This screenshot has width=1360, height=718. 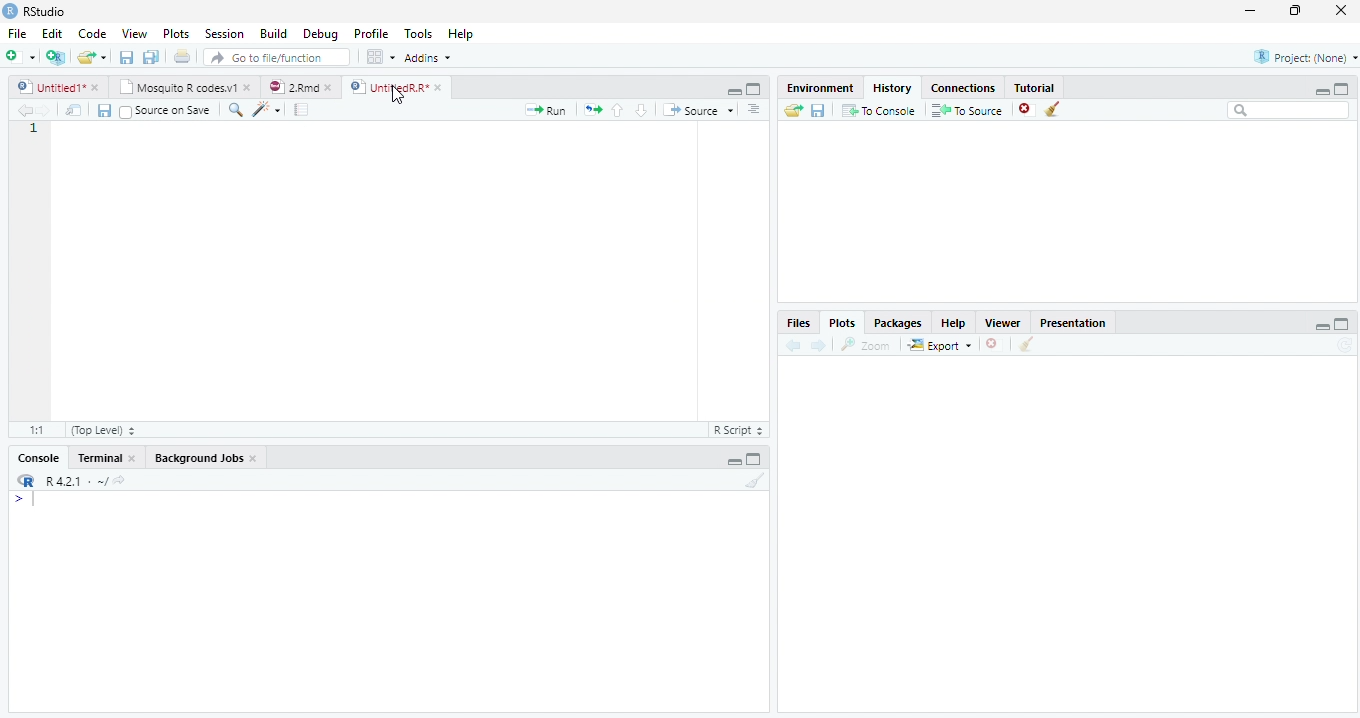 I want to click on Zoom, so click(x=236, y=111).